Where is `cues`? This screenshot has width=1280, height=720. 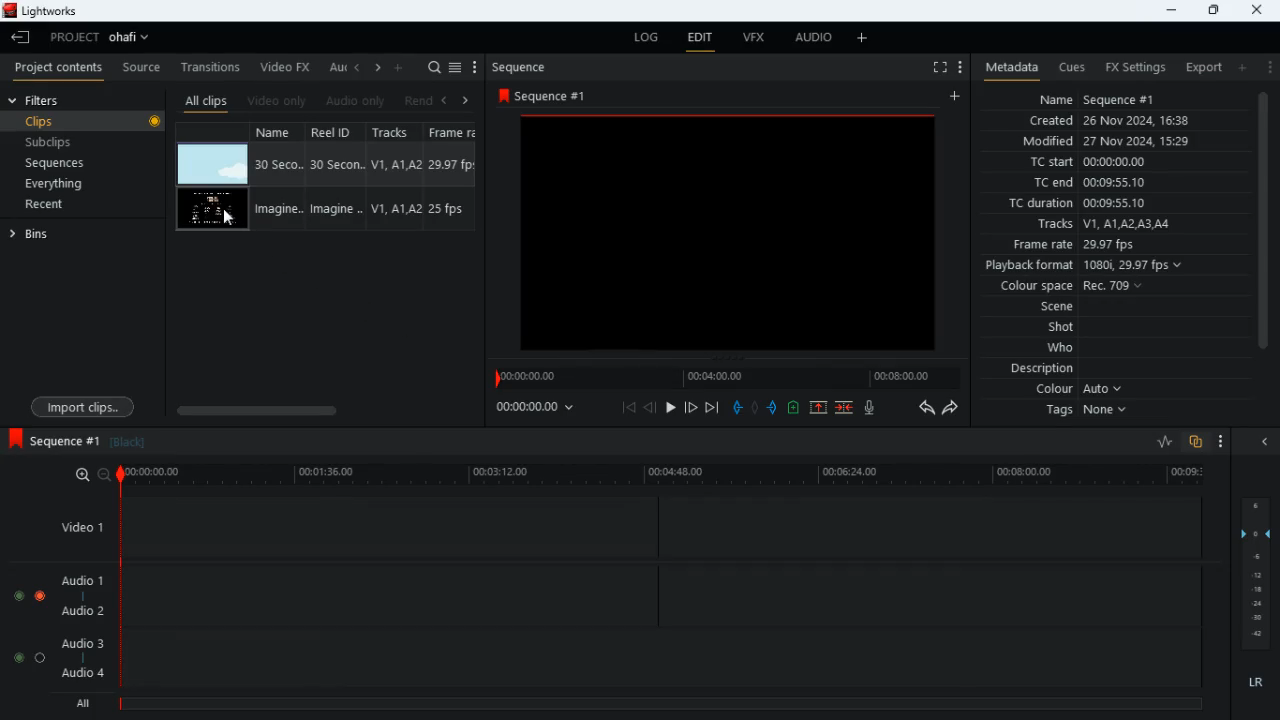
cues is located at coordinates (1072, 67).